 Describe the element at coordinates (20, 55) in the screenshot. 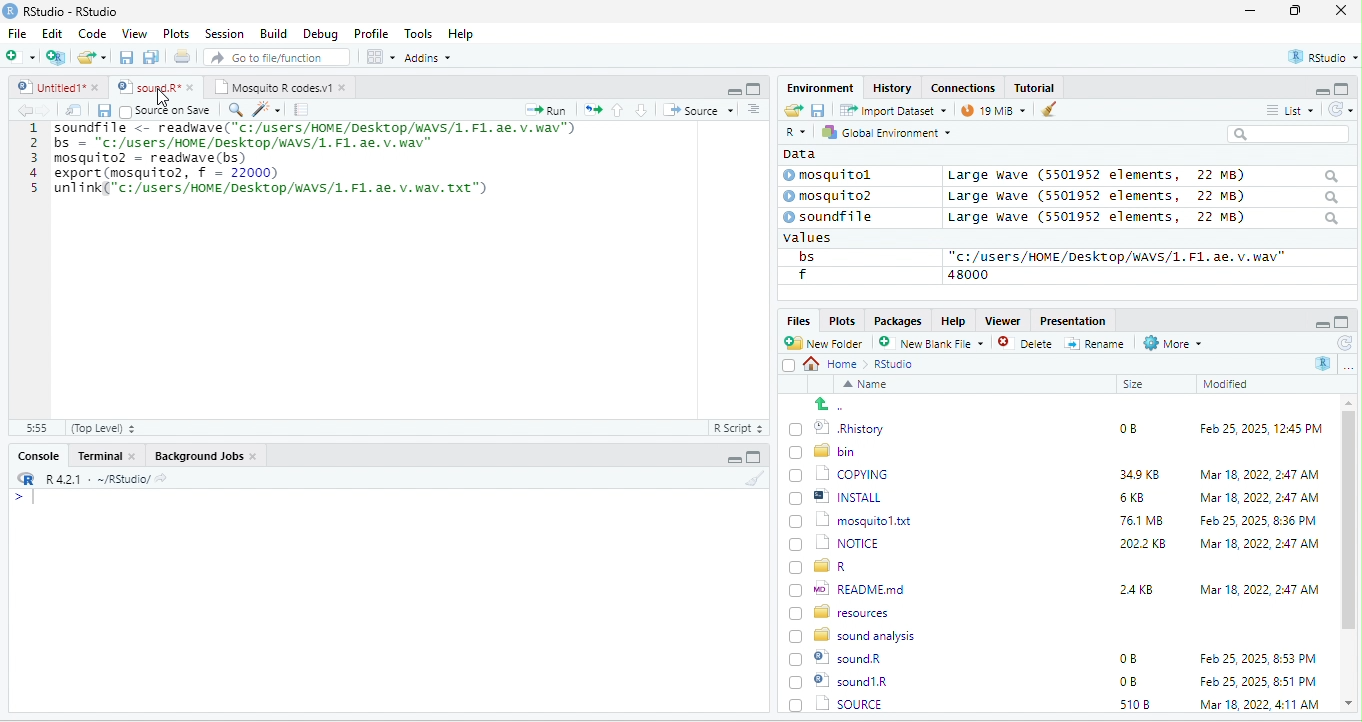

I see `new` at that location.